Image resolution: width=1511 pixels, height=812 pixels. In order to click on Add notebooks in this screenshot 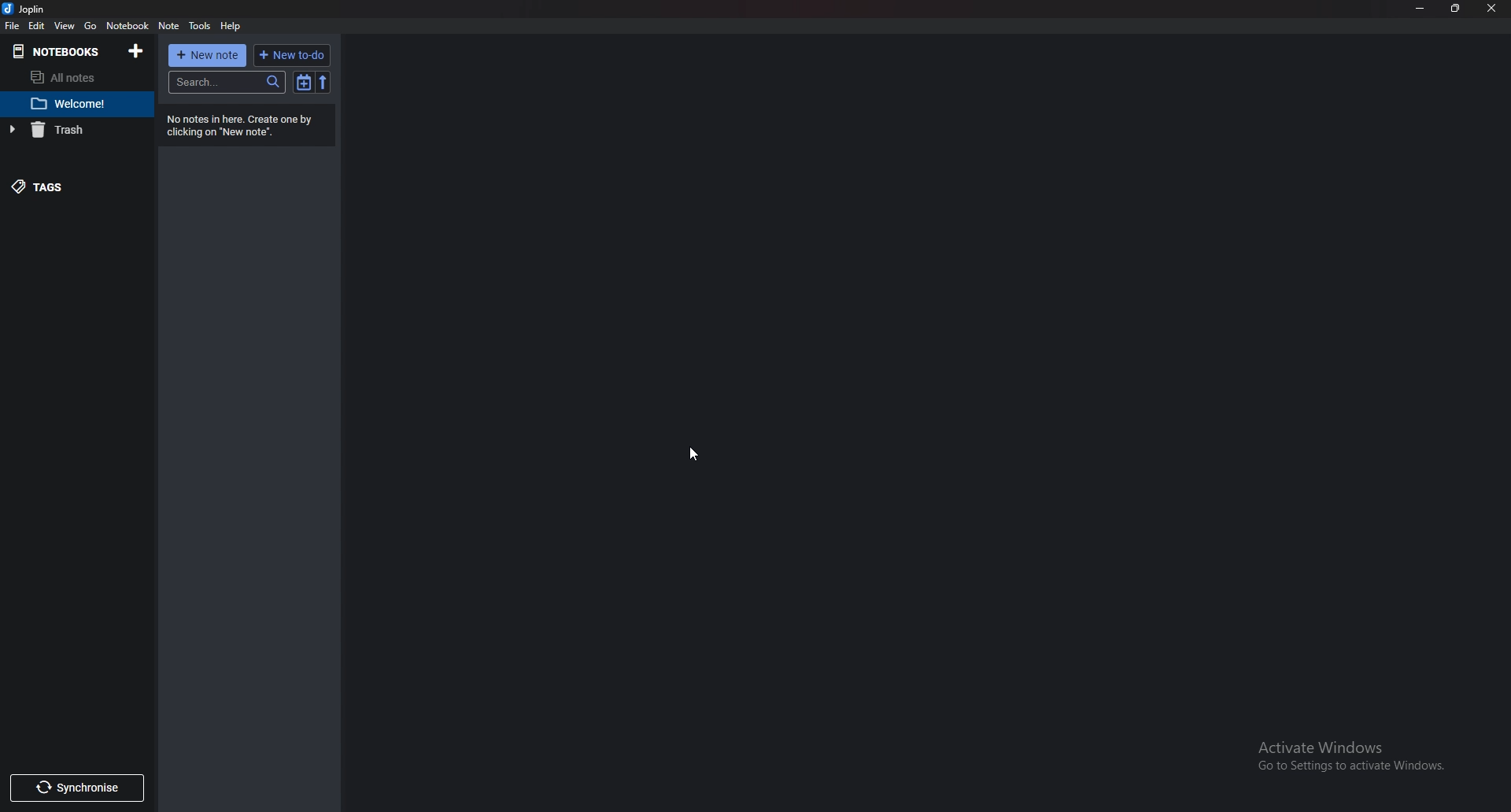, I will do `click(135, 50)`.